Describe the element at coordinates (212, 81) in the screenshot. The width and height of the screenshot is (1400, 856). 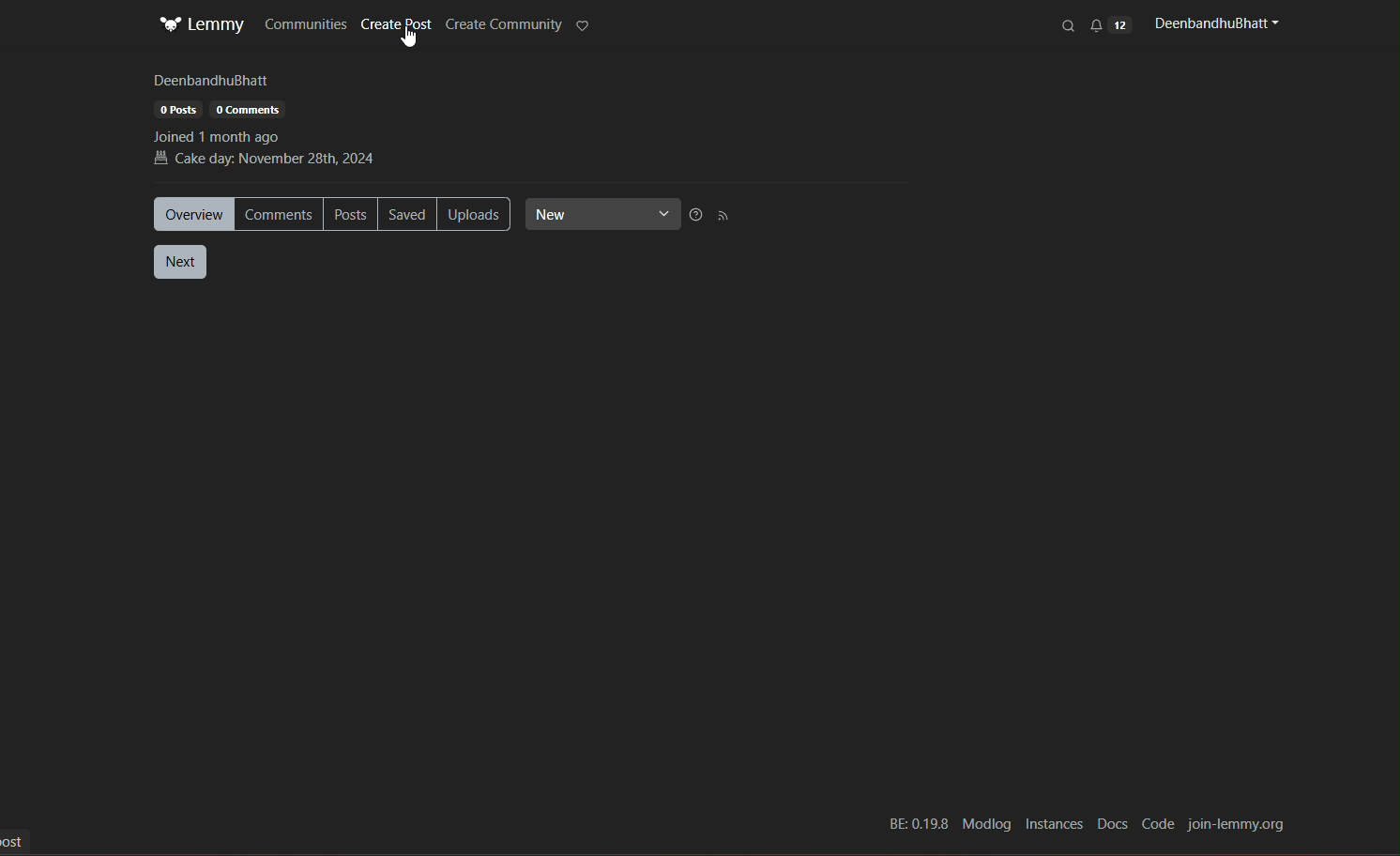
I see `DeenbandhuBhatt` at that location.